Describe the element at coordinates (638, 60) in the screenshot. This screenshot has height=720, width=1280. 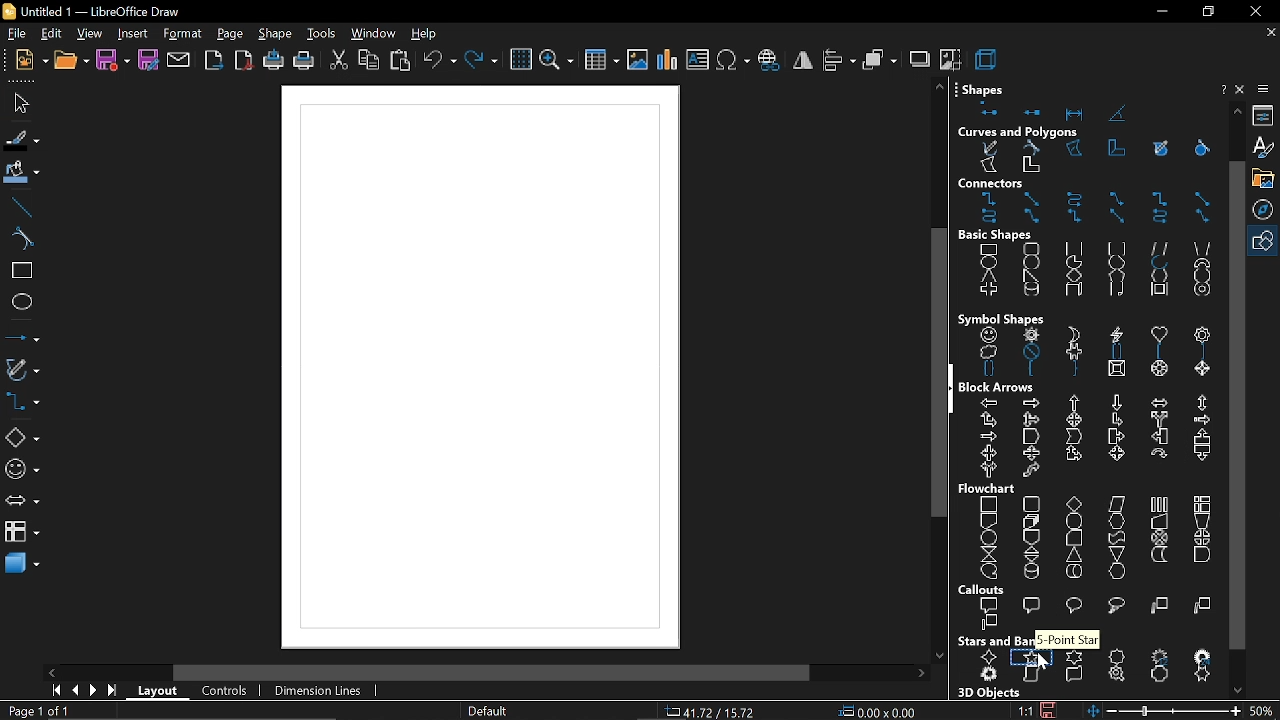
I see `insert image` at that location.